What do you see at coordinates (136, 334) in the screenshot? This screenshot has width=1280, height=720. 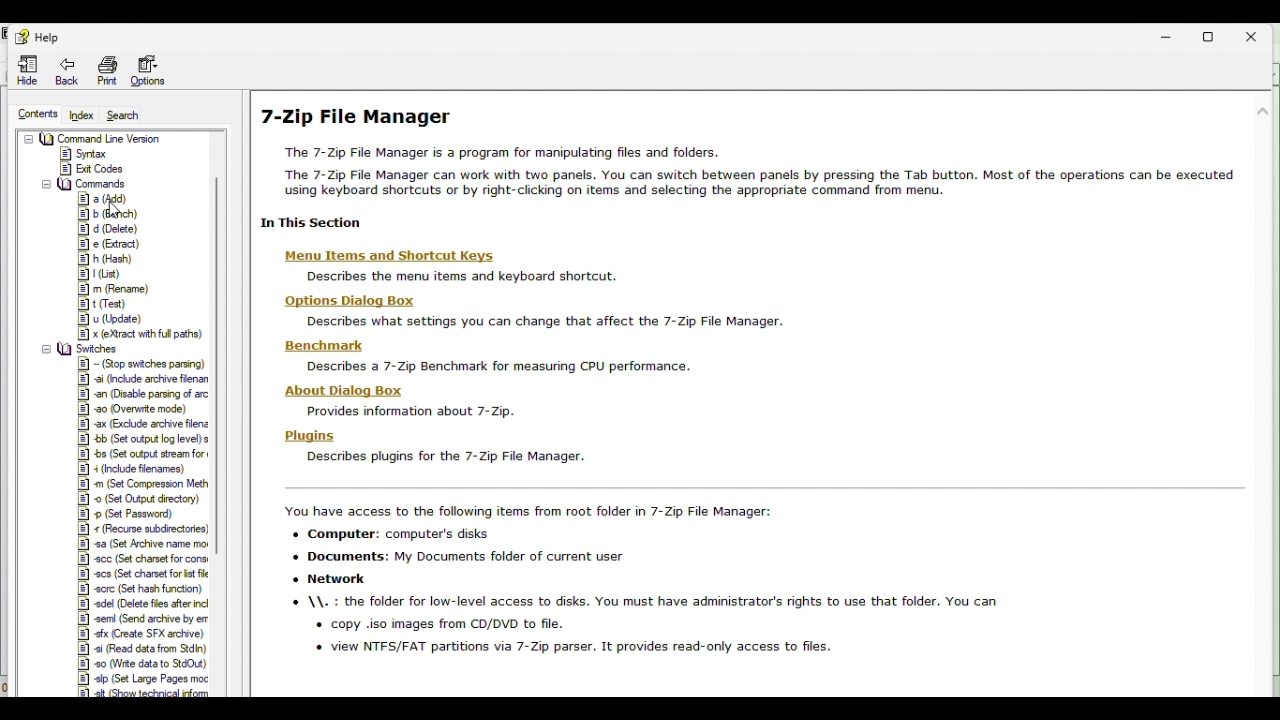 I see `x` at bounding box center [136, 334].